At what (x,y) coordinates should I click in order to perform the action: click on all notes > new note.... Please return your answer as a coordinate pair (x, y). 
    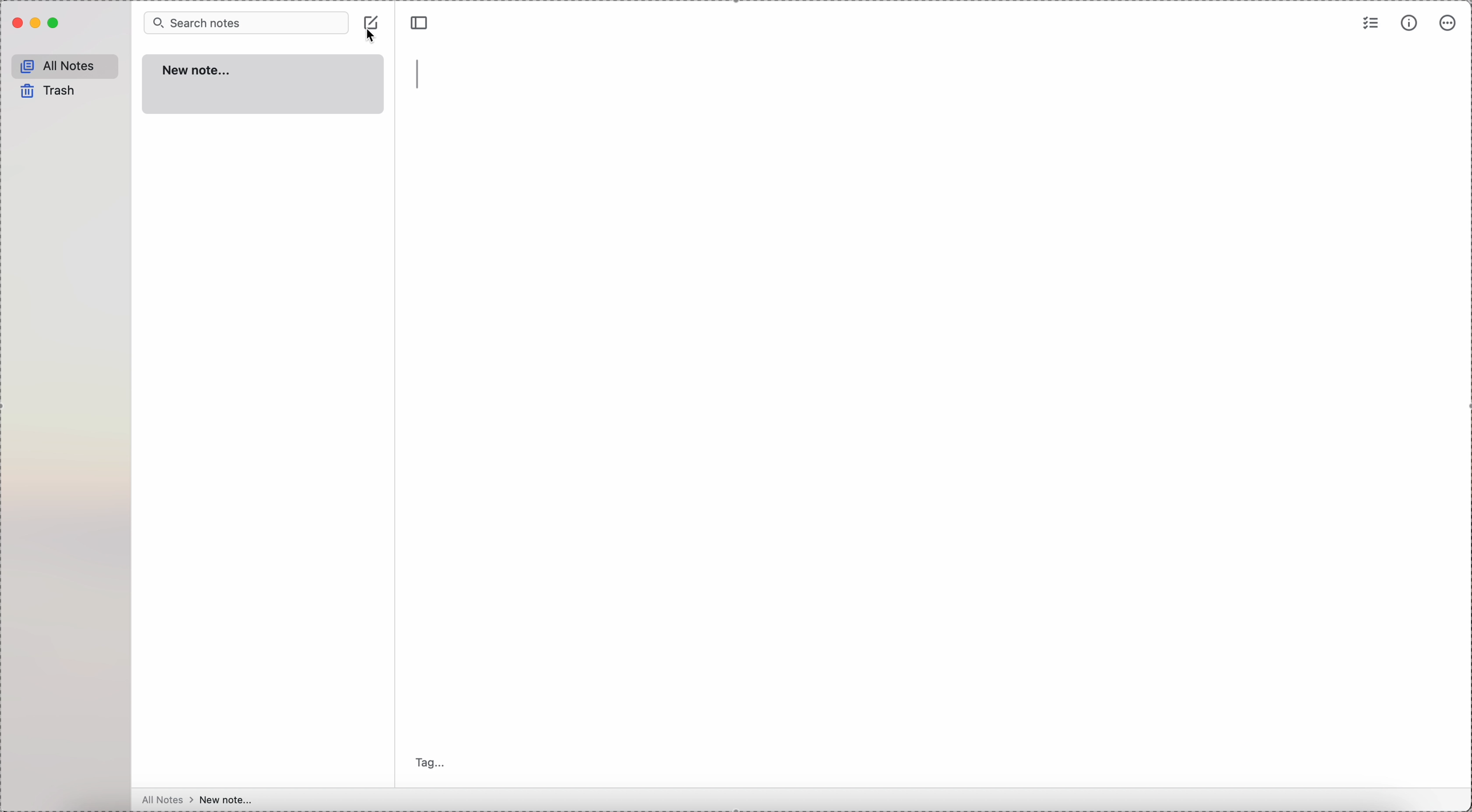
    Looking at the image, I should click on (198, 800).